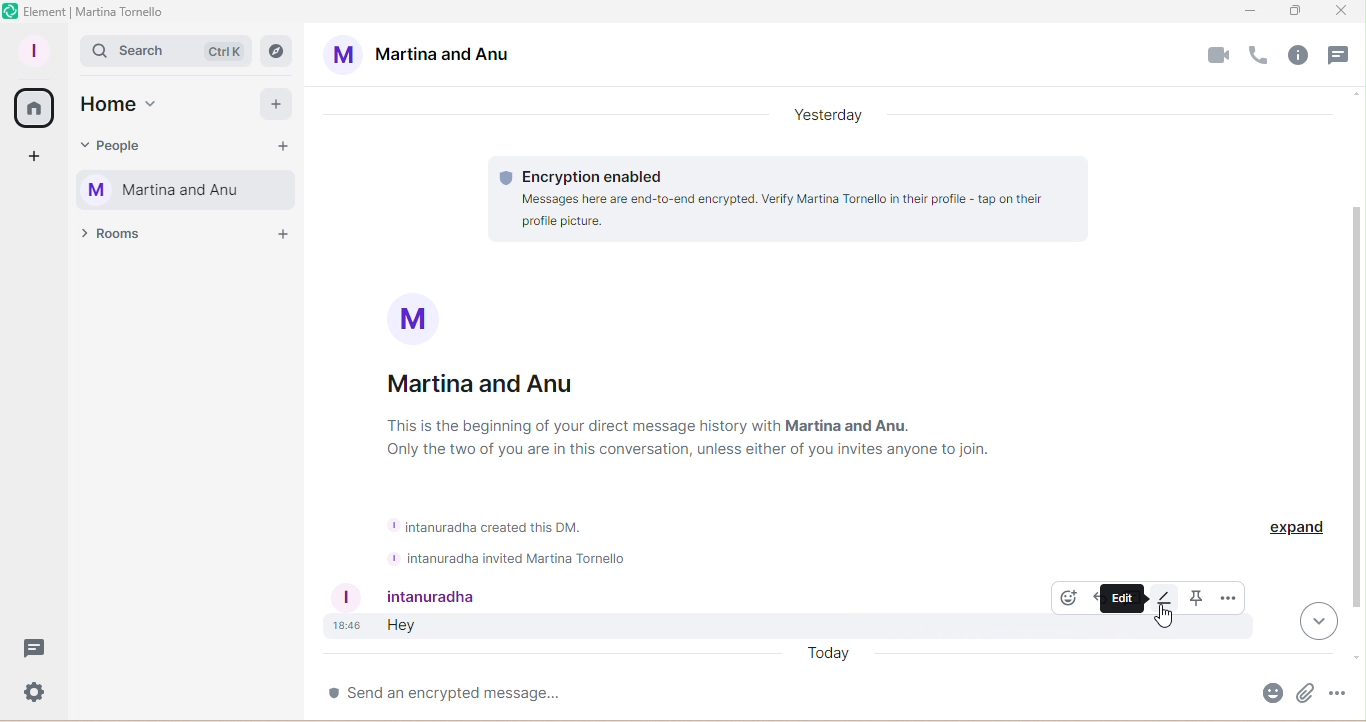 The height and width of the screenshot is (722, 1366). Describe the element at coordinates (1302, 58) in the screenshot. I see `Rooms info` at that location.